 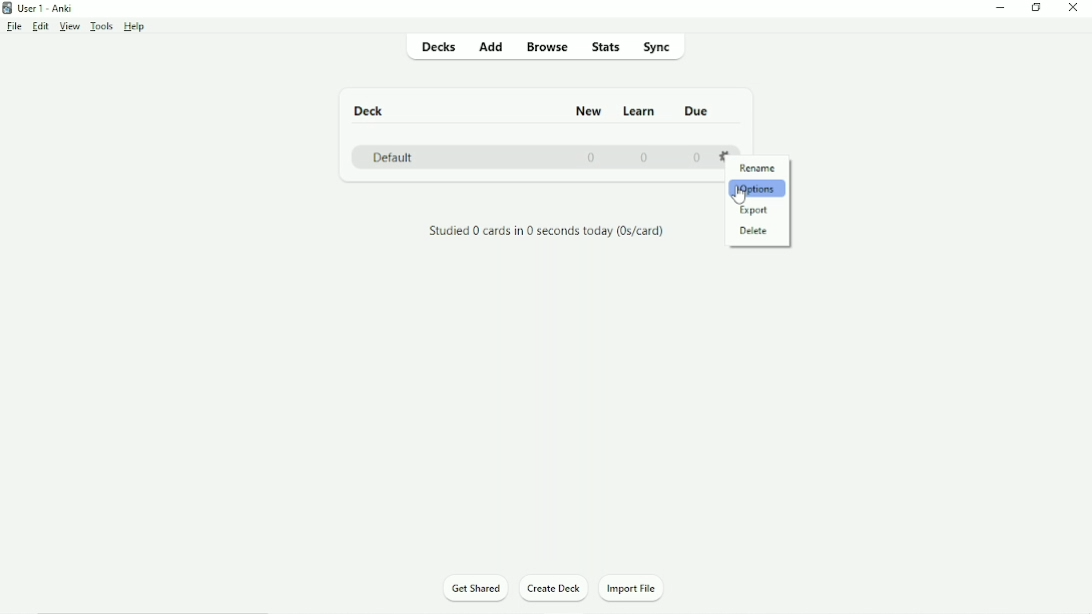 What do you see at coordinates (632, 589) in the screenshot?
I see `Import File` at bounding box center [632, 589].